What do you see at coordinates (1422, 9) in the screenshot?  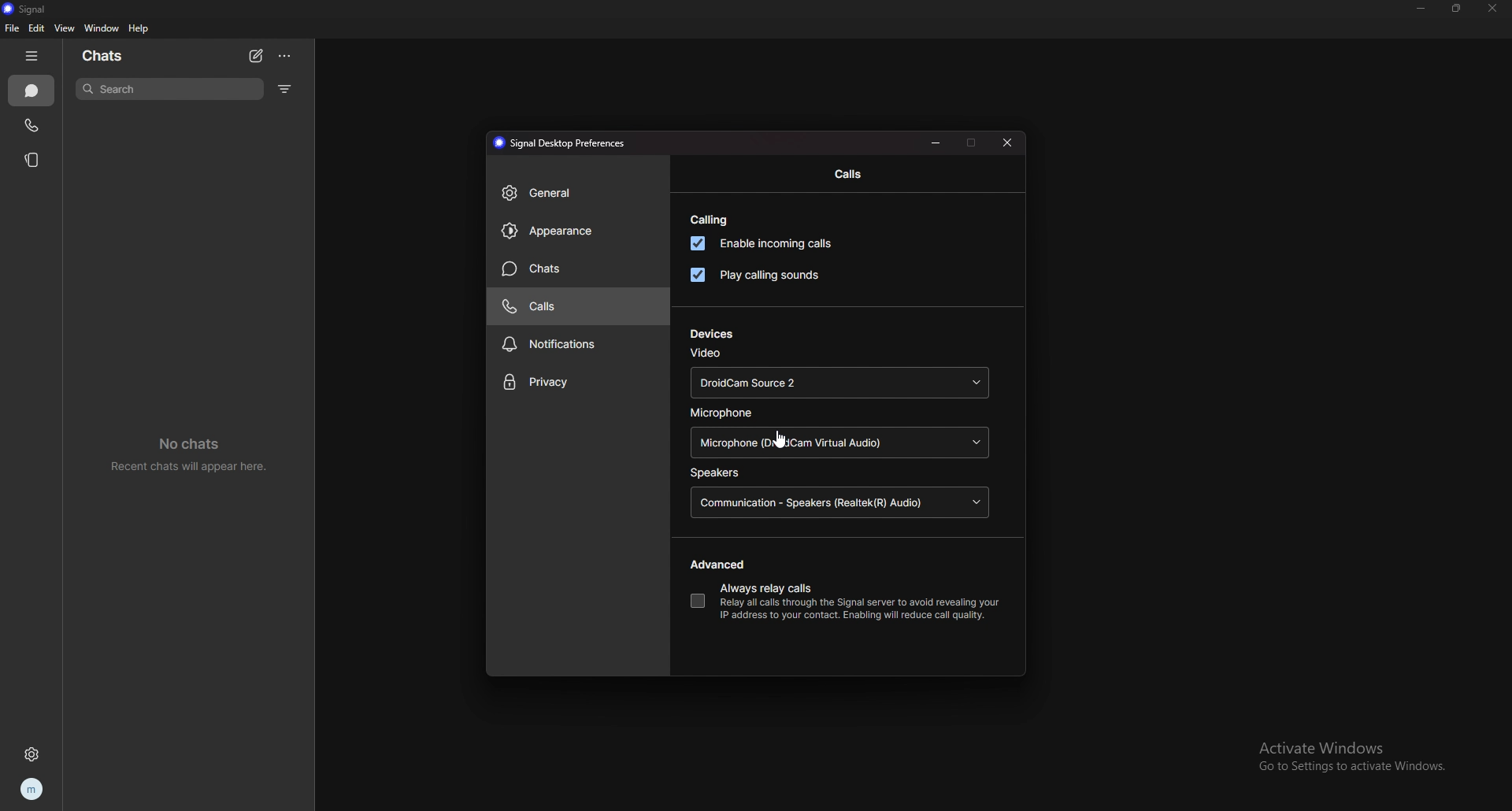 I see `minimize` at bounding box center [1422, 9].